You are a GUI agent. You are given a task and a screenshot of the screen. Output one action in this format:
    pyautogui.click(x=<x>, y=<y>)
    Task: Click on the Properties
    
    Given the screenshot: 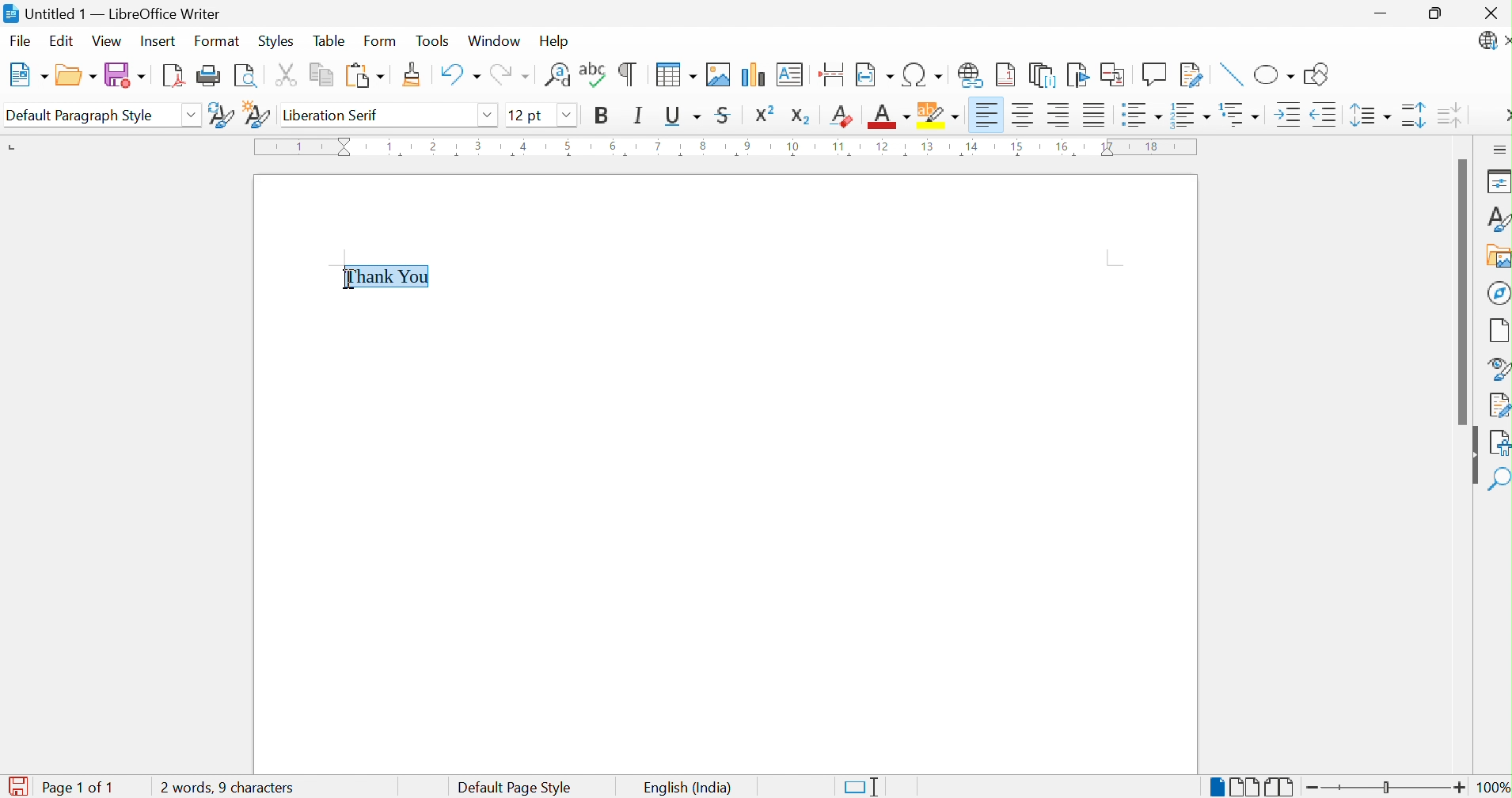 What is the action you would take?
    pyautogui.click(x=1496, y=182)
    